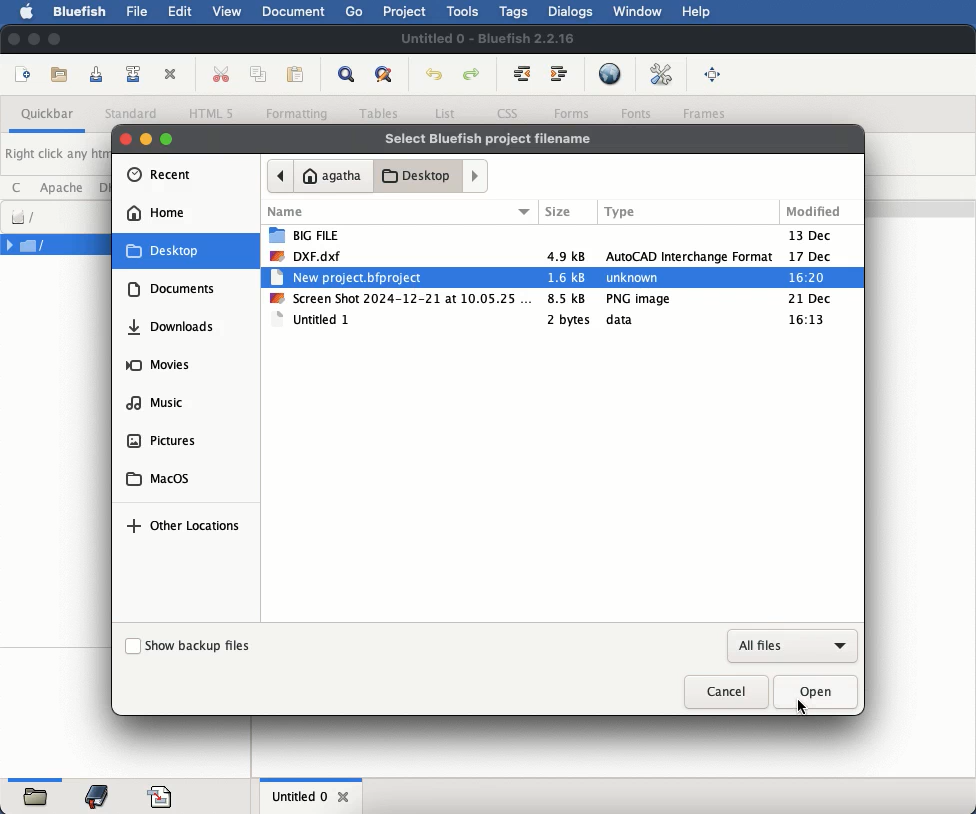  I want to click on screenshot, so click(401, 298).